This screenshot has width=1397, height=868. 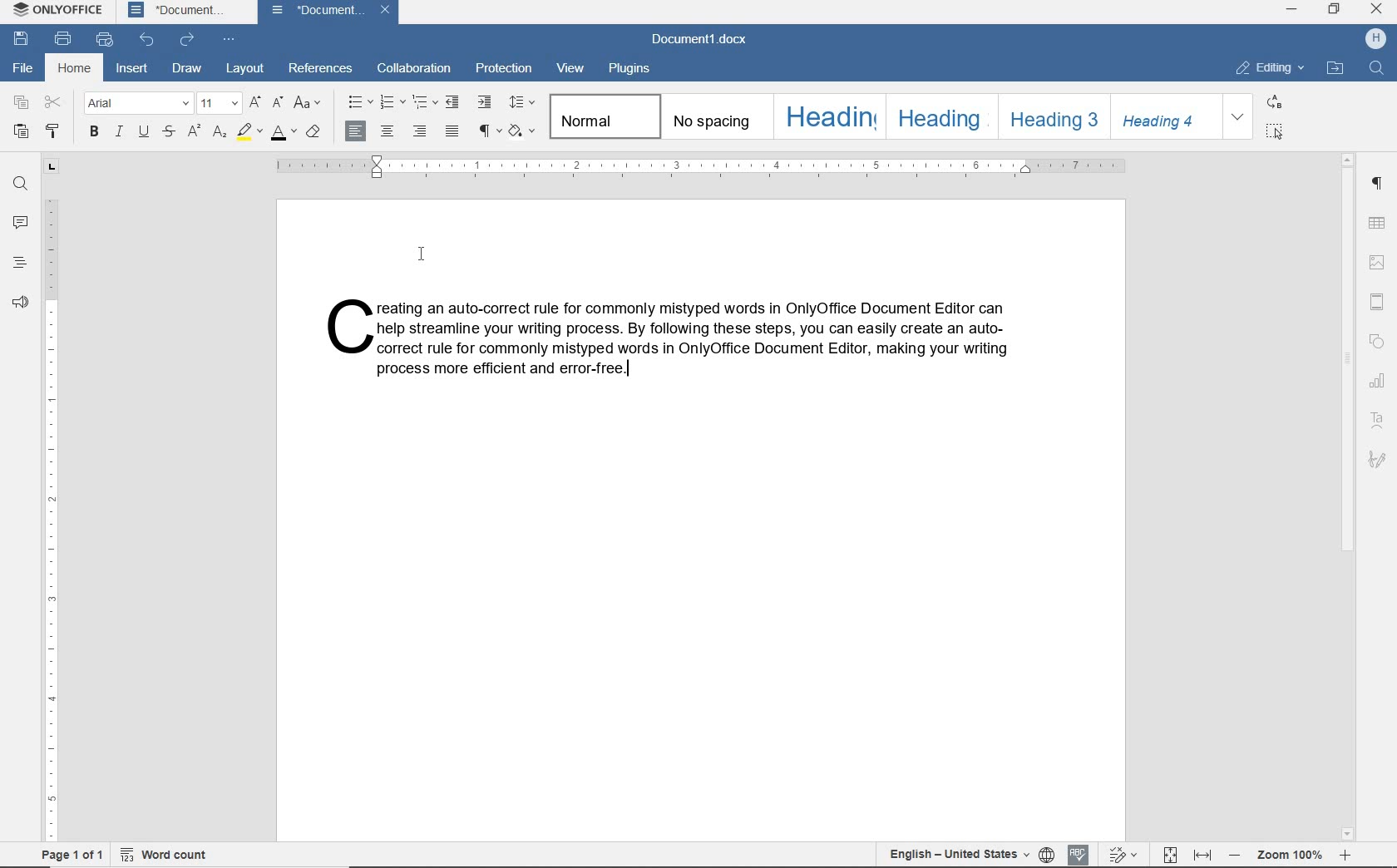 I want to click on TABLE, so click(x=1375, y=224).